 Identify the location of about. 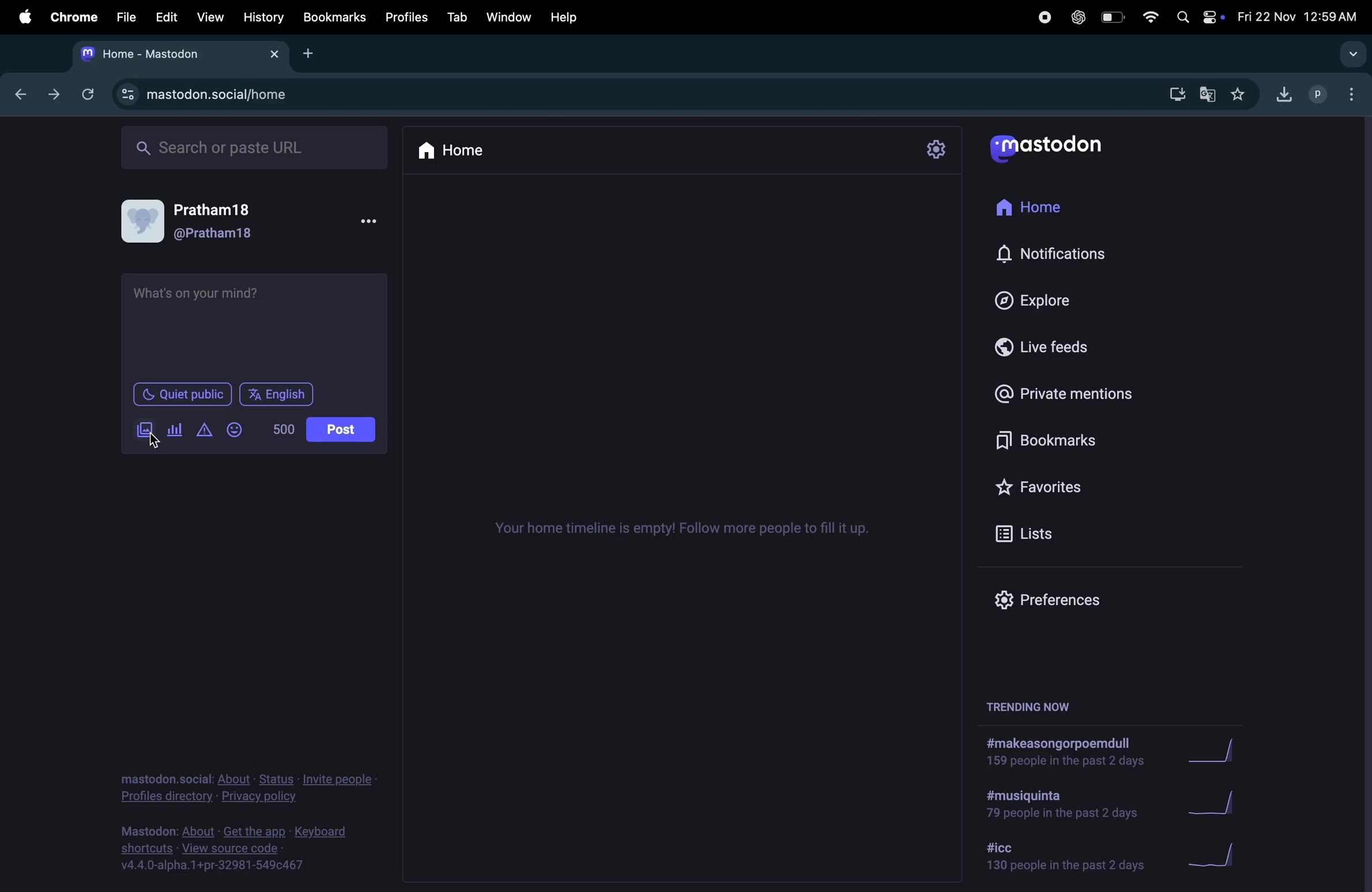
(198, 831).